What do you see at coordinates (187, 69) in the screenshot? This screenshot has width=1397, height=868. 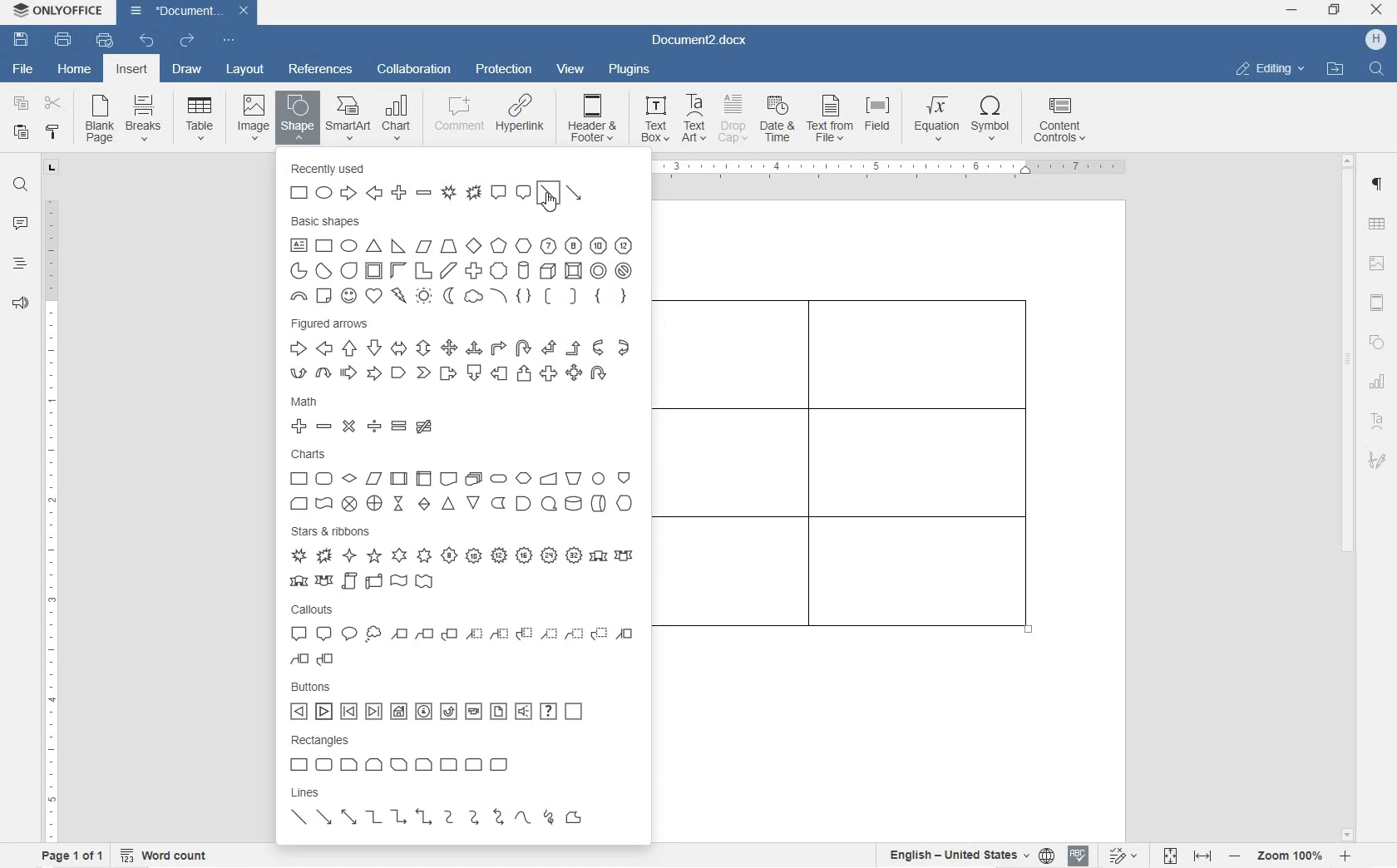 I see `draw` at bounding box center [187, 69].